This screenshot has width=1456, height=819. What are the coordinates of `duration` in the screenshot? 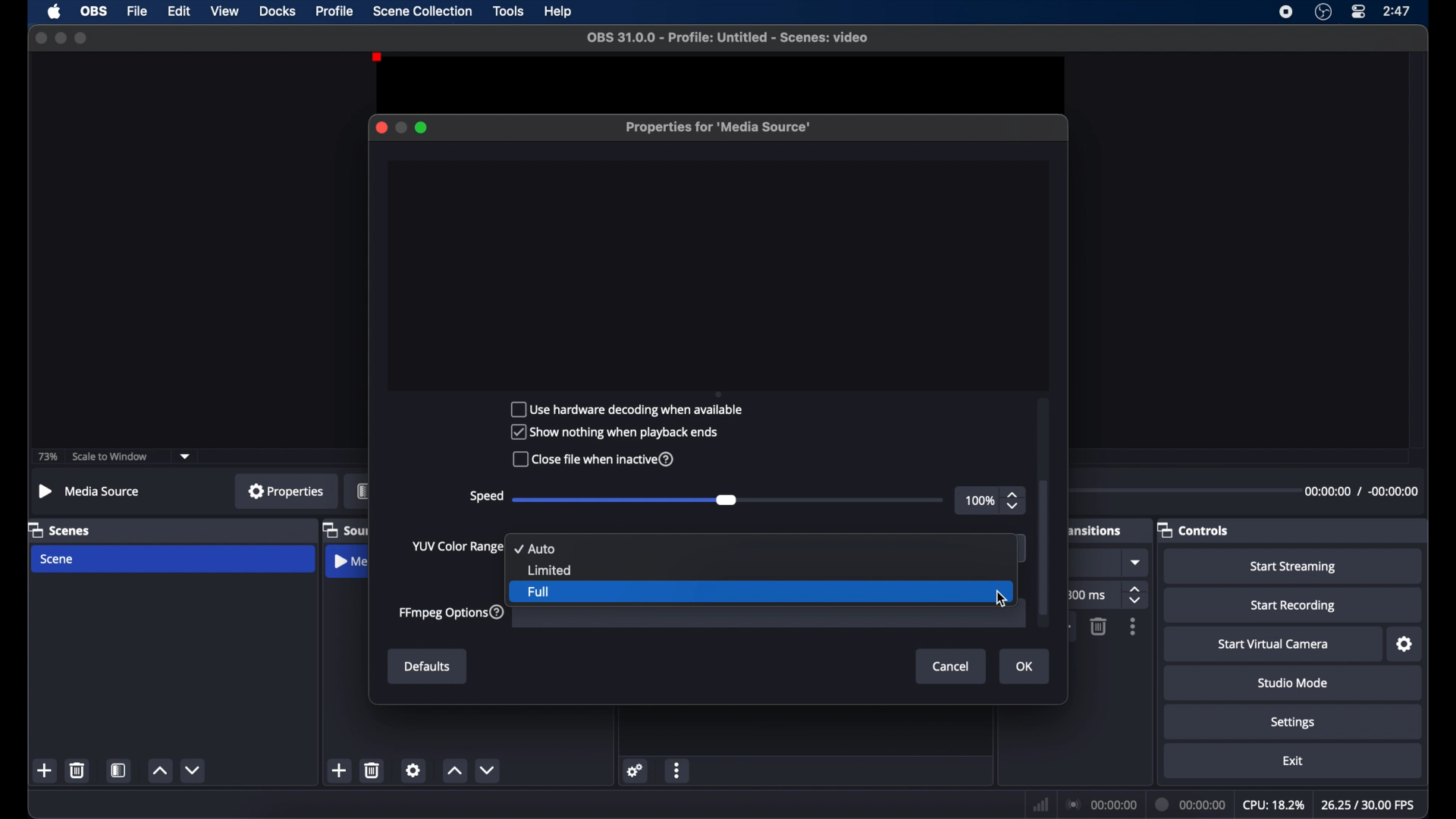 It's located at (1191, 804).